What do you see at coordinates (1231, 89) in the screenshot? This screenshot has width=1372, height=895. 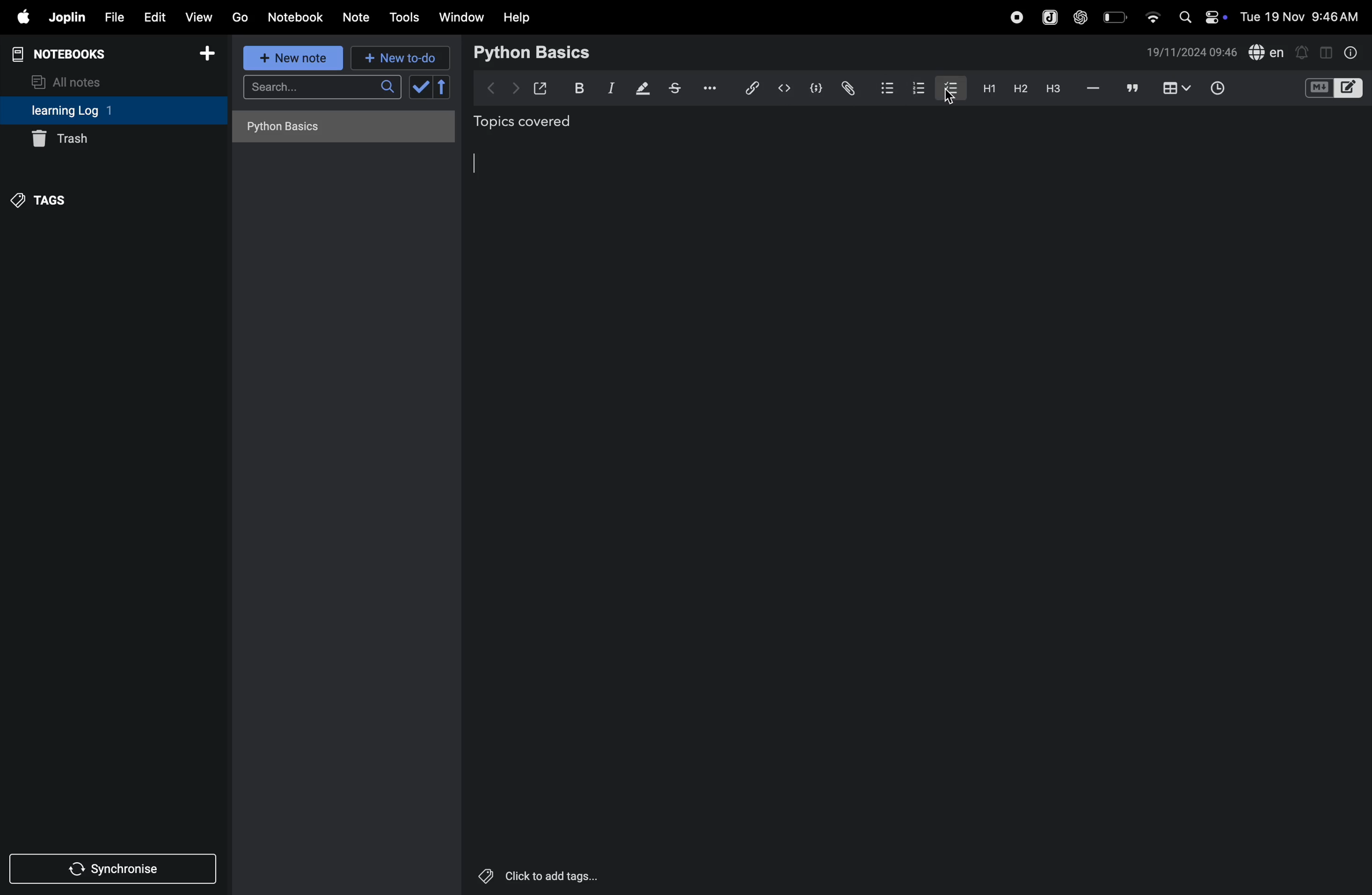 I see `add time` at bounding box center [1231, 89].